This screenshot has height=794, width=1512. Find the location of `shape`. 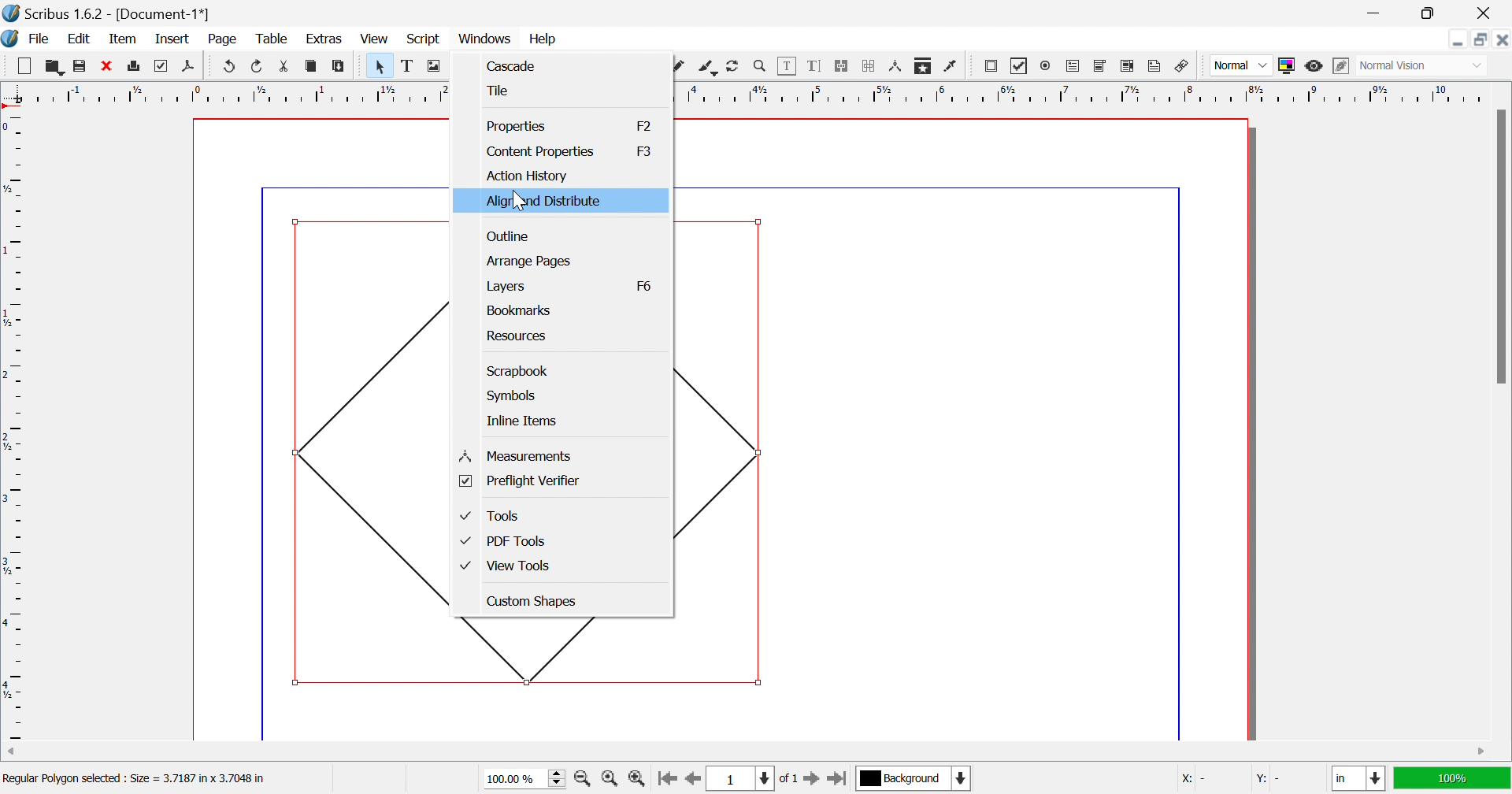

shape is located at coordinates (563, 649).